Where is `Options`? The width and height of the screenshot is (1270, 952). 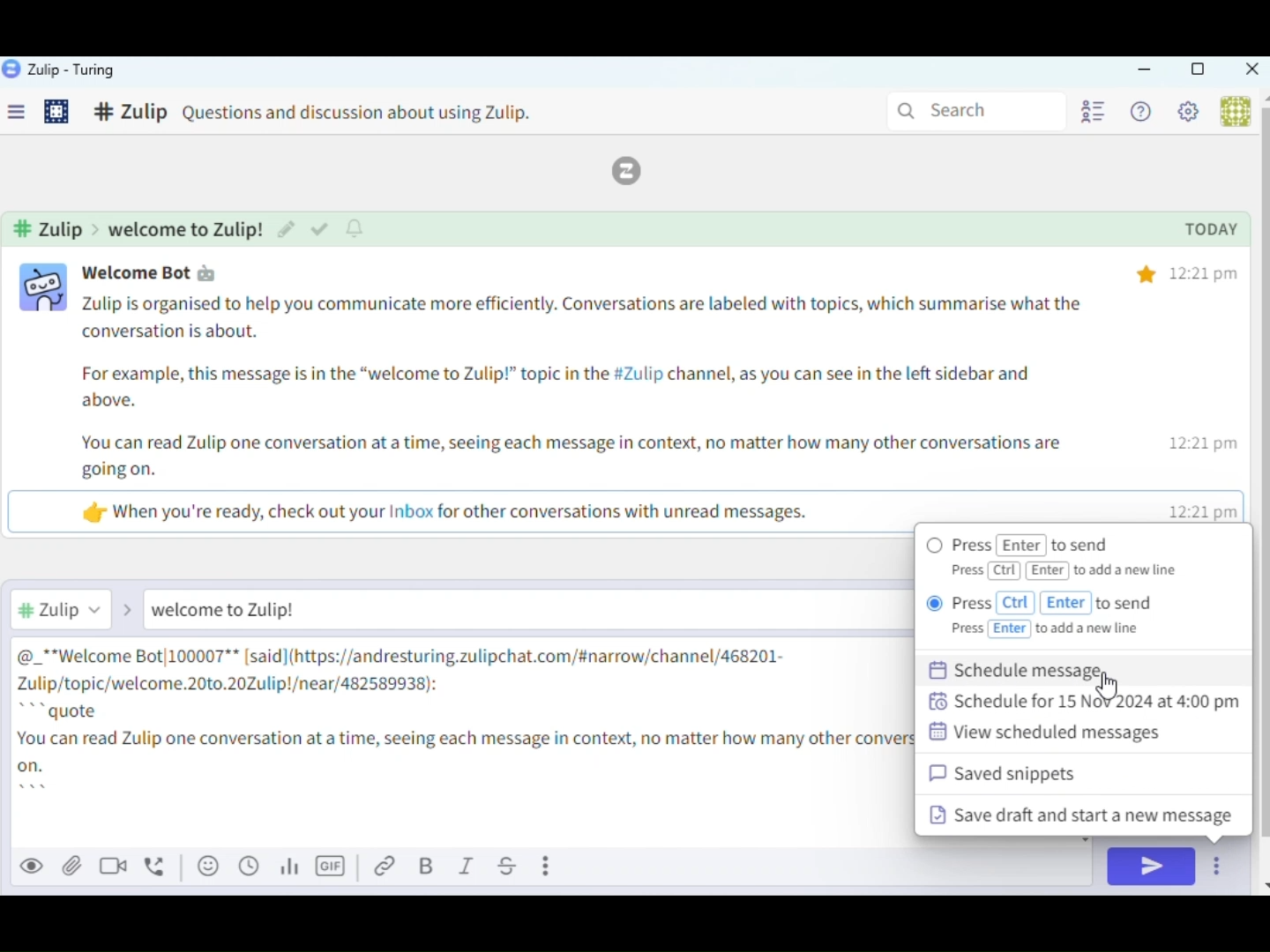 Options is located at coordinates (1220, 868).